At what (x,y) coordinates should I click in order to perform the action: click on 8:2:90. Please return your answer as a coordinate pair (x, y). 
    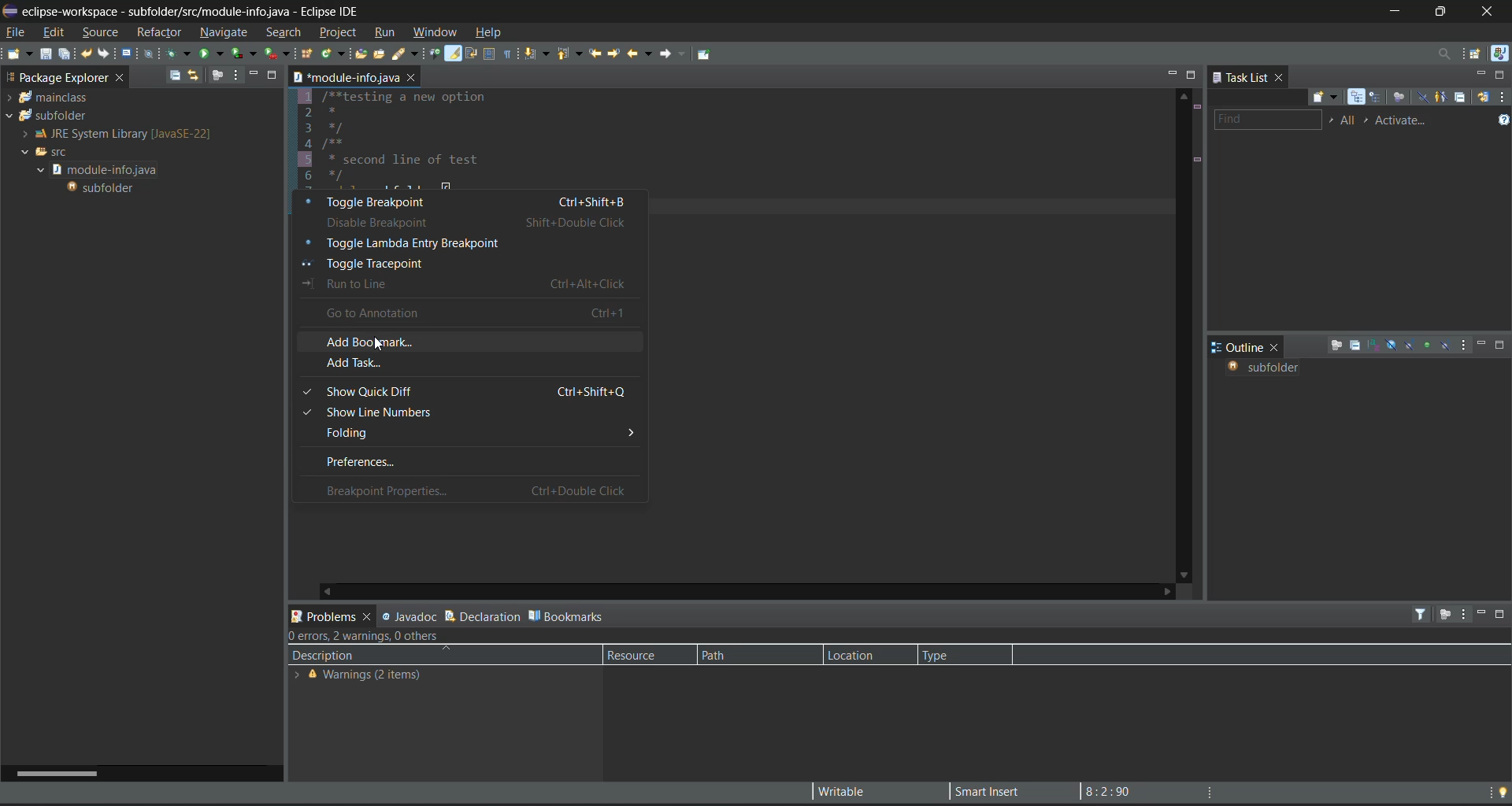
    Looking at the image, I should click on (1116, 790).